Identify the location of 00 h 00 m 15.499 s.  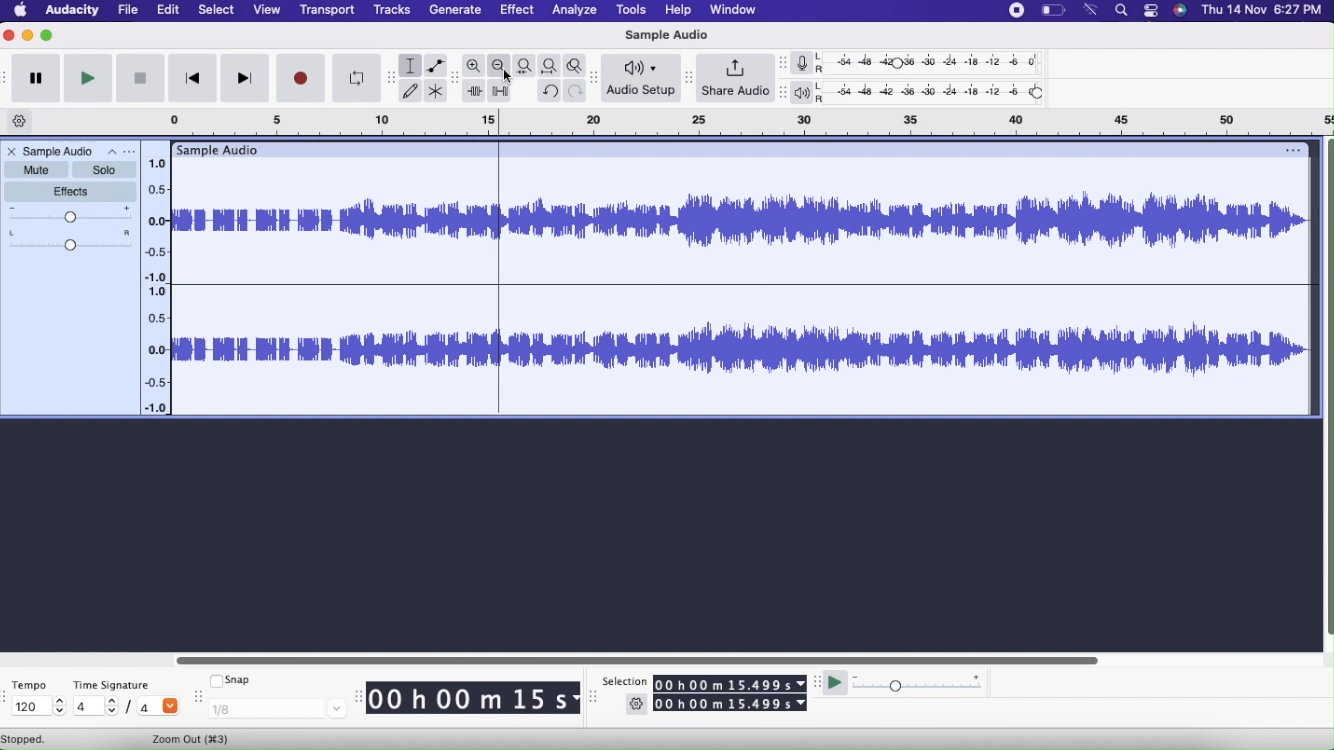
(730, 681).